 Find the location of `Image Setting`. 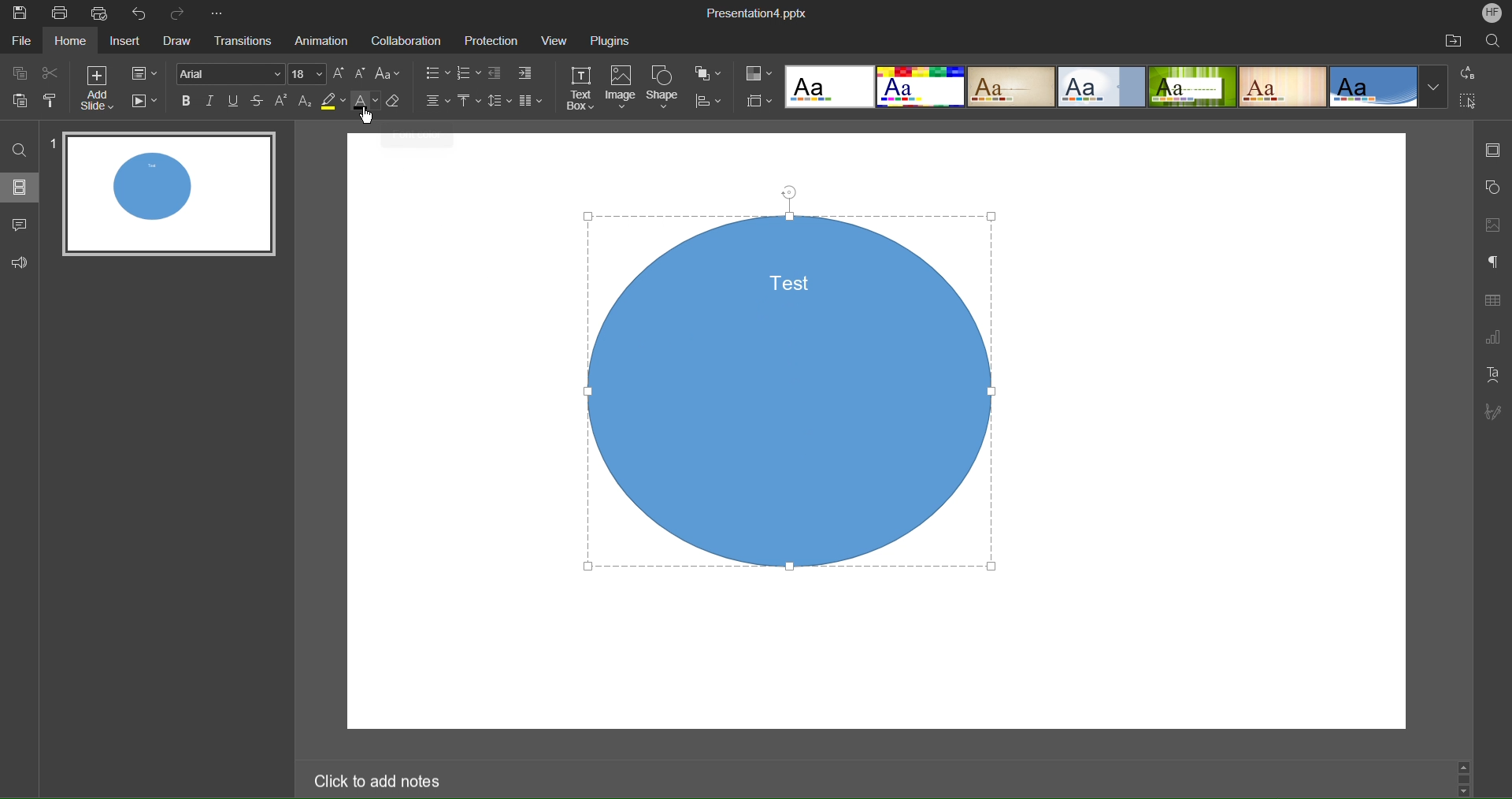

Image Setting is located at coordinates (1492, 225).